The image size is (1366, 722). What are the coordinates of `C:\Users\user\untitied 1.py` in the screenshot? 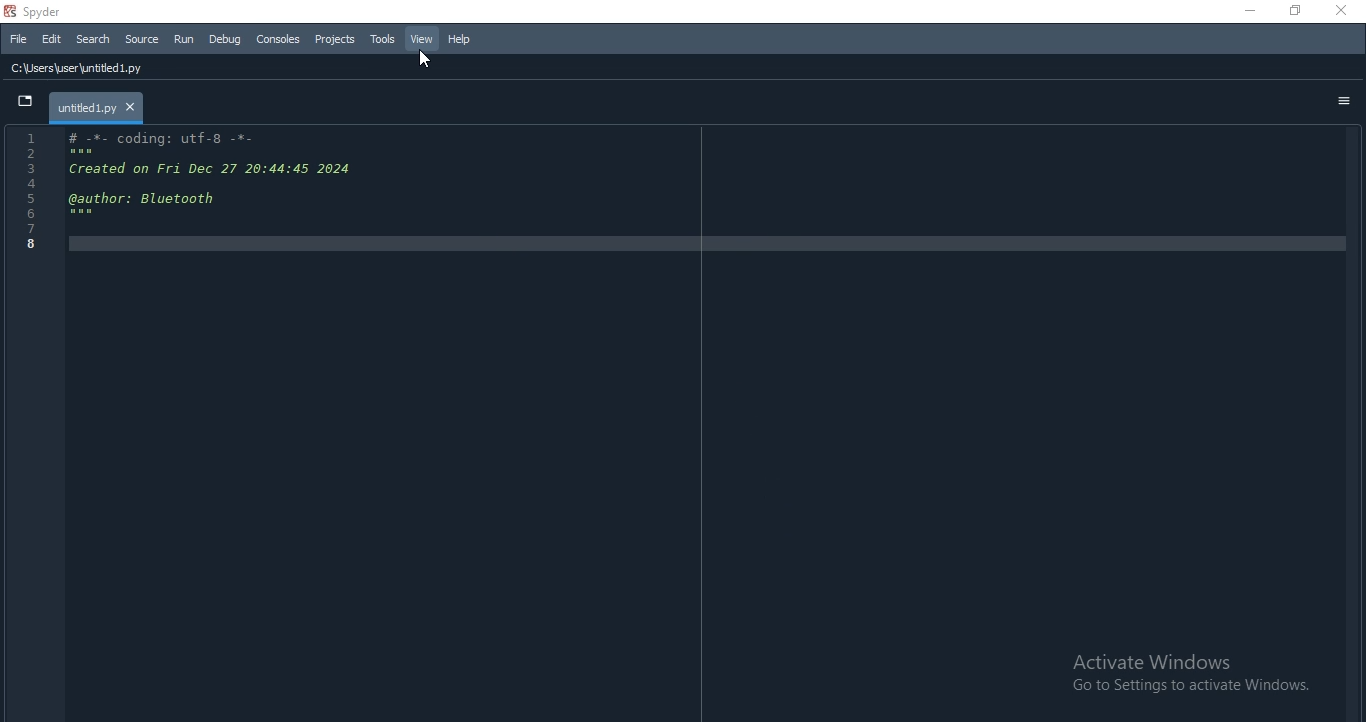 It's located at (93, 70).